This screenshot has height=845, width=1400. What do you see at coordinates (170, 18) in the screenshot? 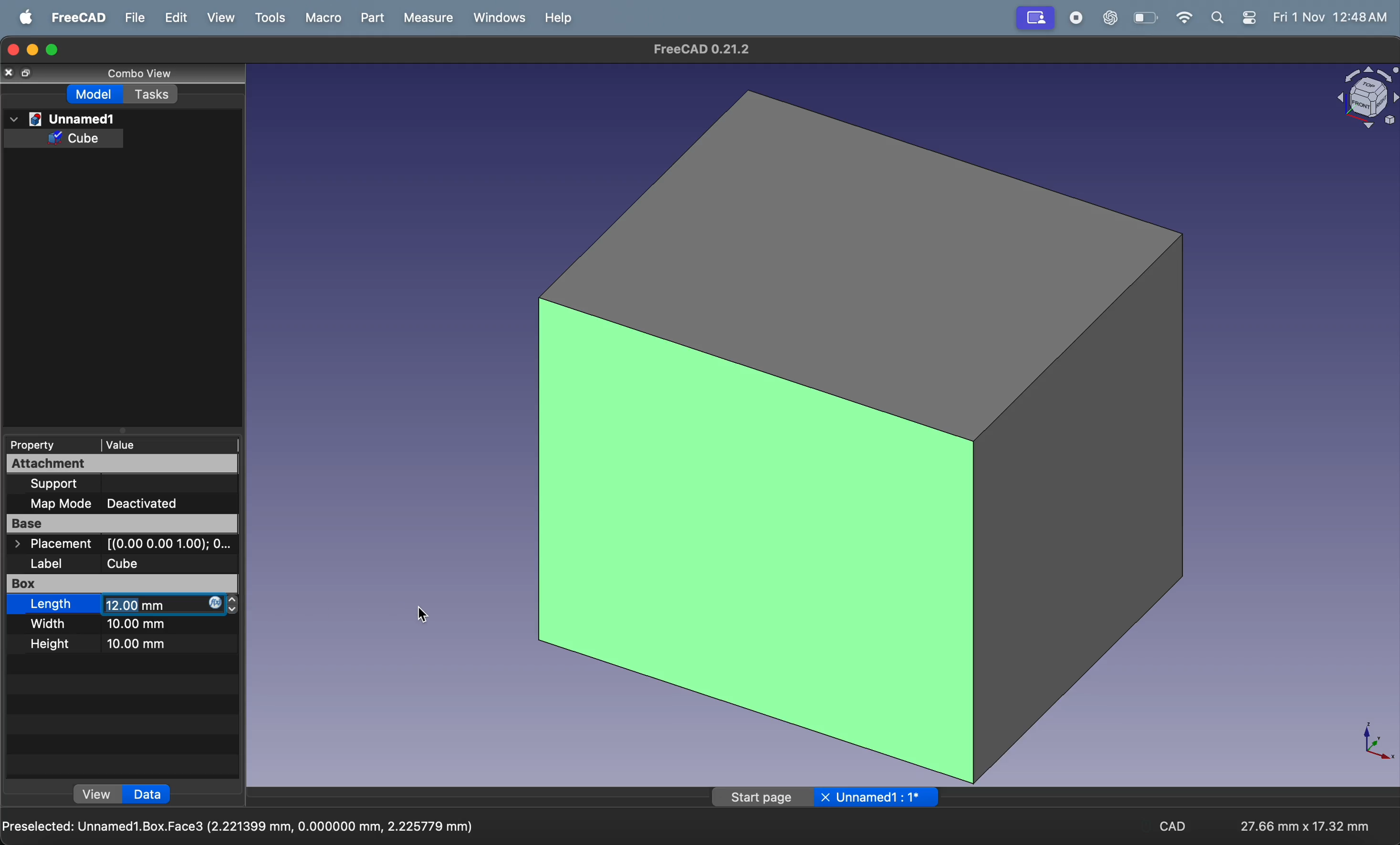
I see `edit` at bounding box center [170, 18].